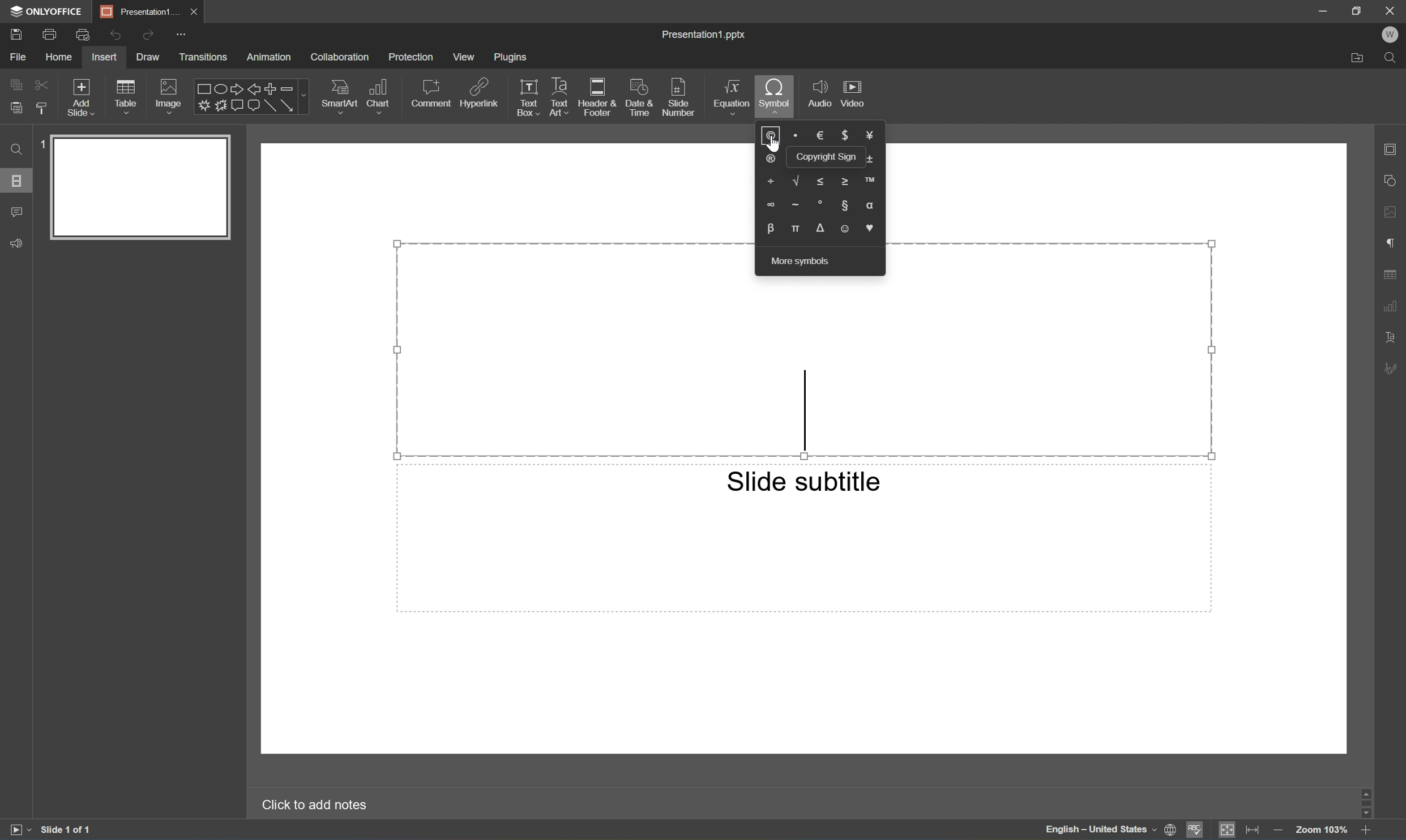 Image resolution: width=1406 pixels, height=840 pixels. What do you see at coordinates (804, 481) in the screenshot?
I see `Slide subtitle` at bounding box center [804, 481].